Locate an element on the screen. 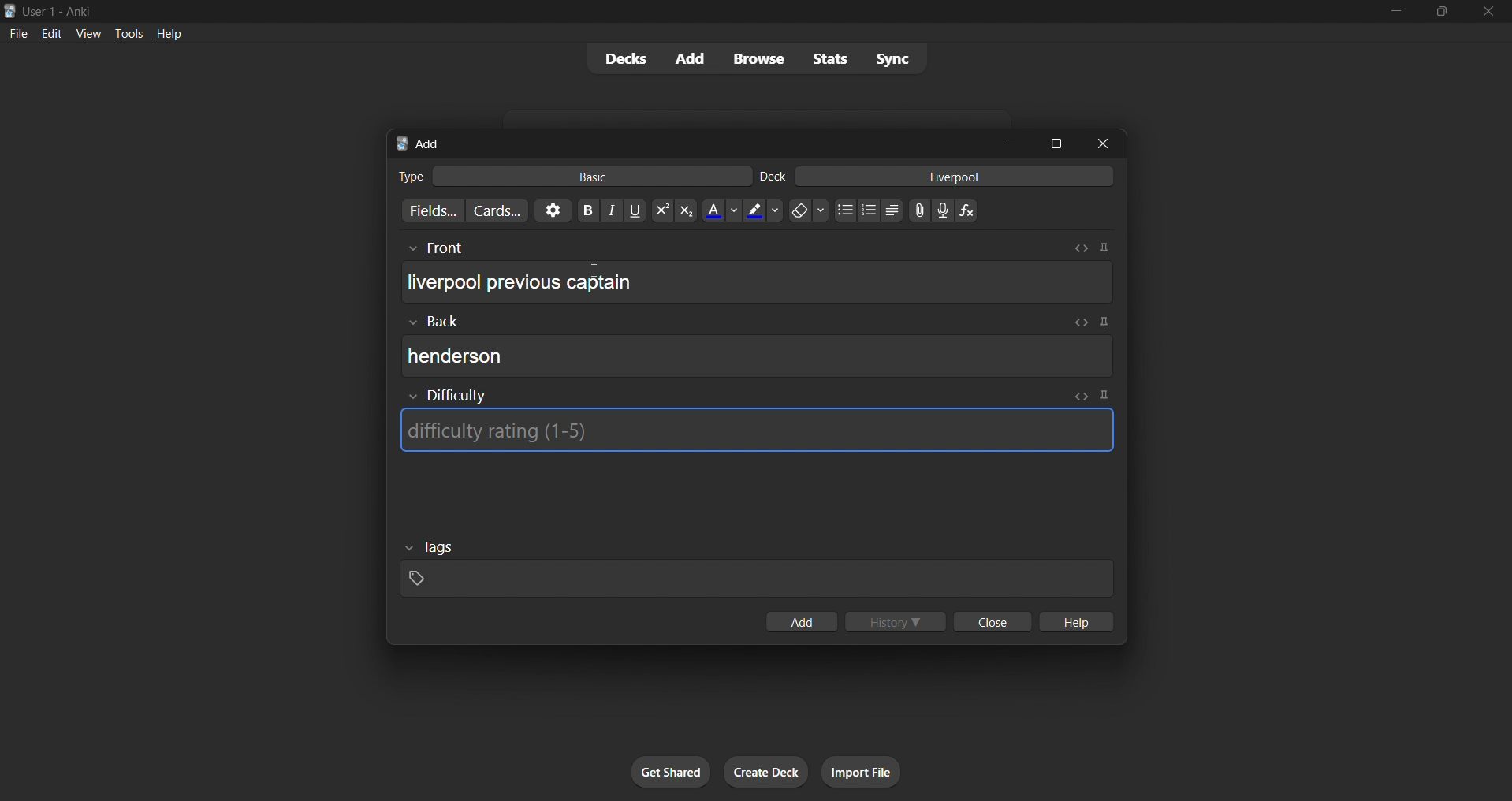 The height and width of the screenshot is (801, 1512). link is located at coordinates (918, 212).